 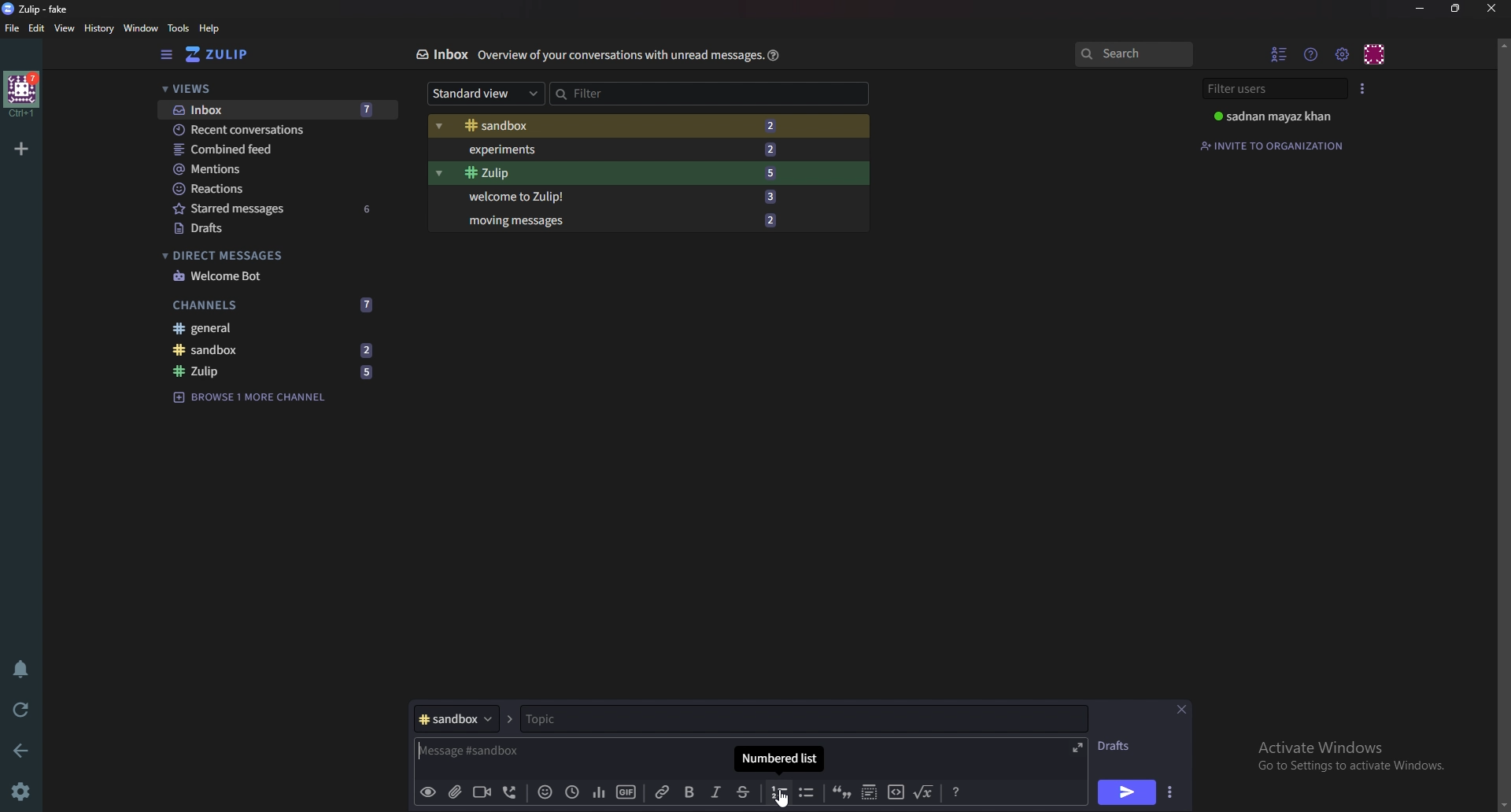 I want to click on Direct messages, so click(x=268, y=256).